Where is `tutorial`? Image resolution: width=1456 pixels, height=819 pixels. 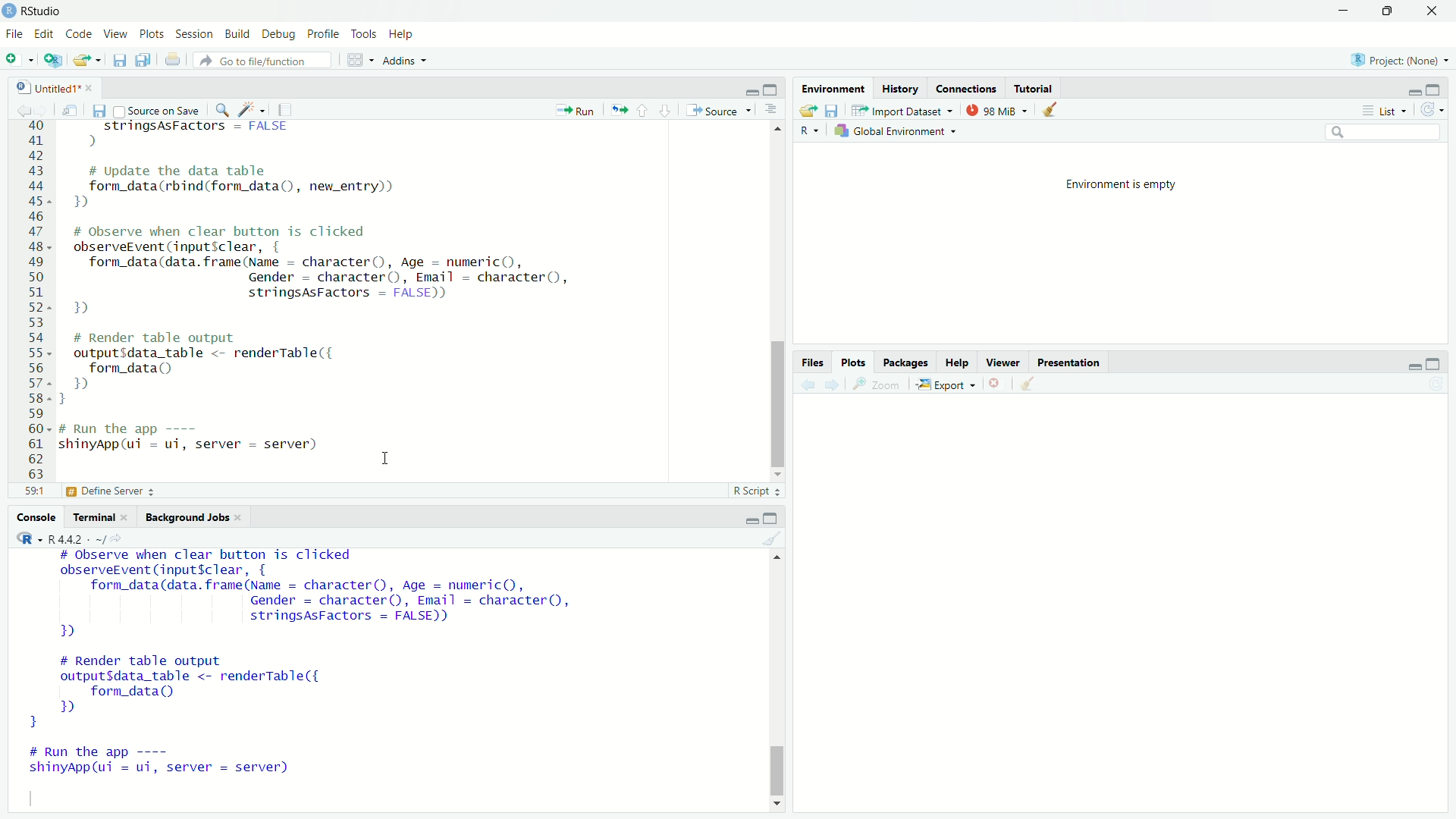 tutorial is located at coordinates (1031, 88).